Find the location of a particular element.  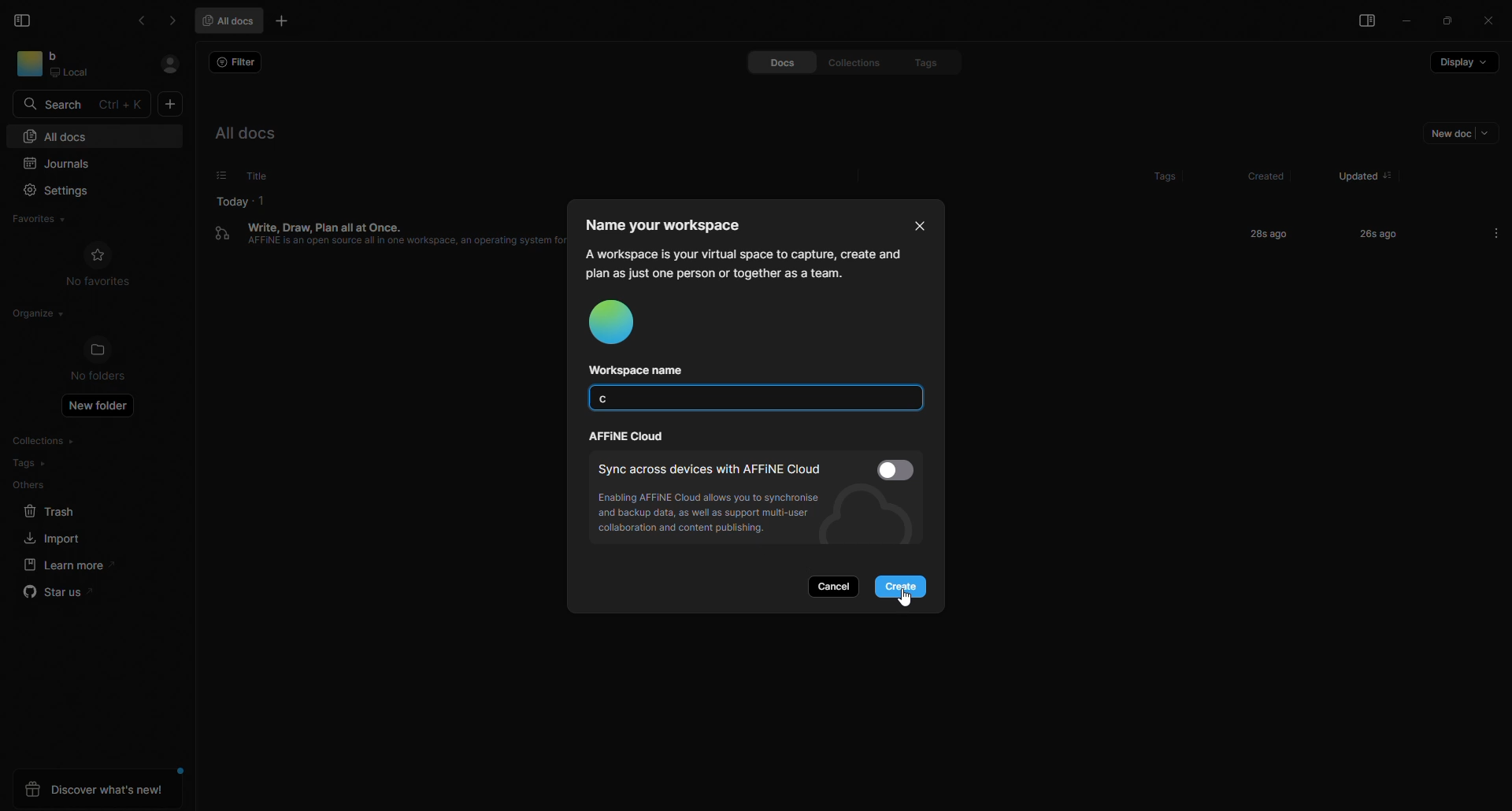

import is located at coordinates (48, 538).